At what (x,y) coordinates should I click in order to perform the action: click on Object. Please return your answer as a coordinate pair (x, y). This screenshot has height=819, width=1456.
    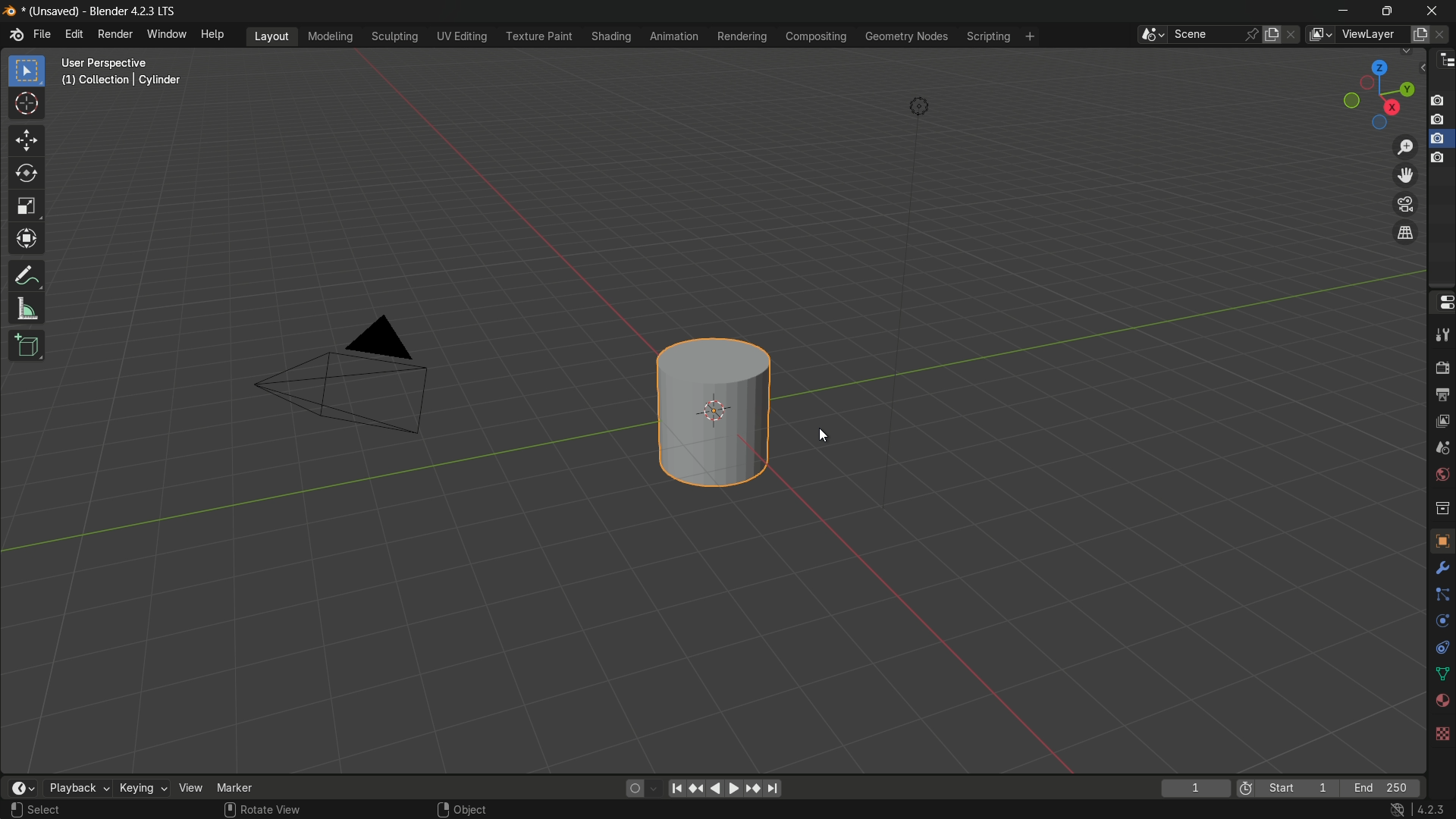
    Looking at the image, I should click on (475, 808).